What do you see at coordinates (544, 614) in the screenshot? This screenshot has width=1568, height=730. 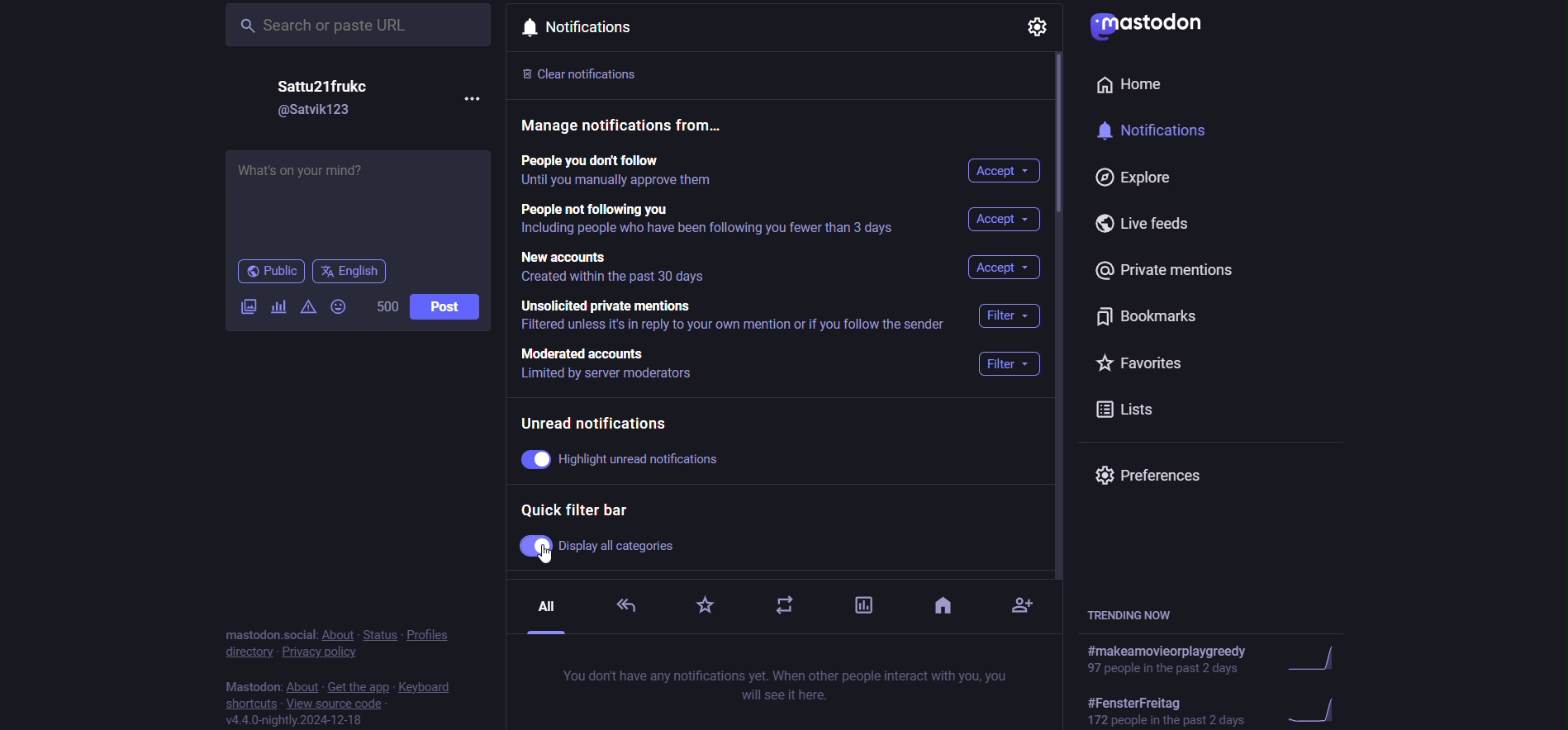 I see `all` at bounding box center [544, 614].